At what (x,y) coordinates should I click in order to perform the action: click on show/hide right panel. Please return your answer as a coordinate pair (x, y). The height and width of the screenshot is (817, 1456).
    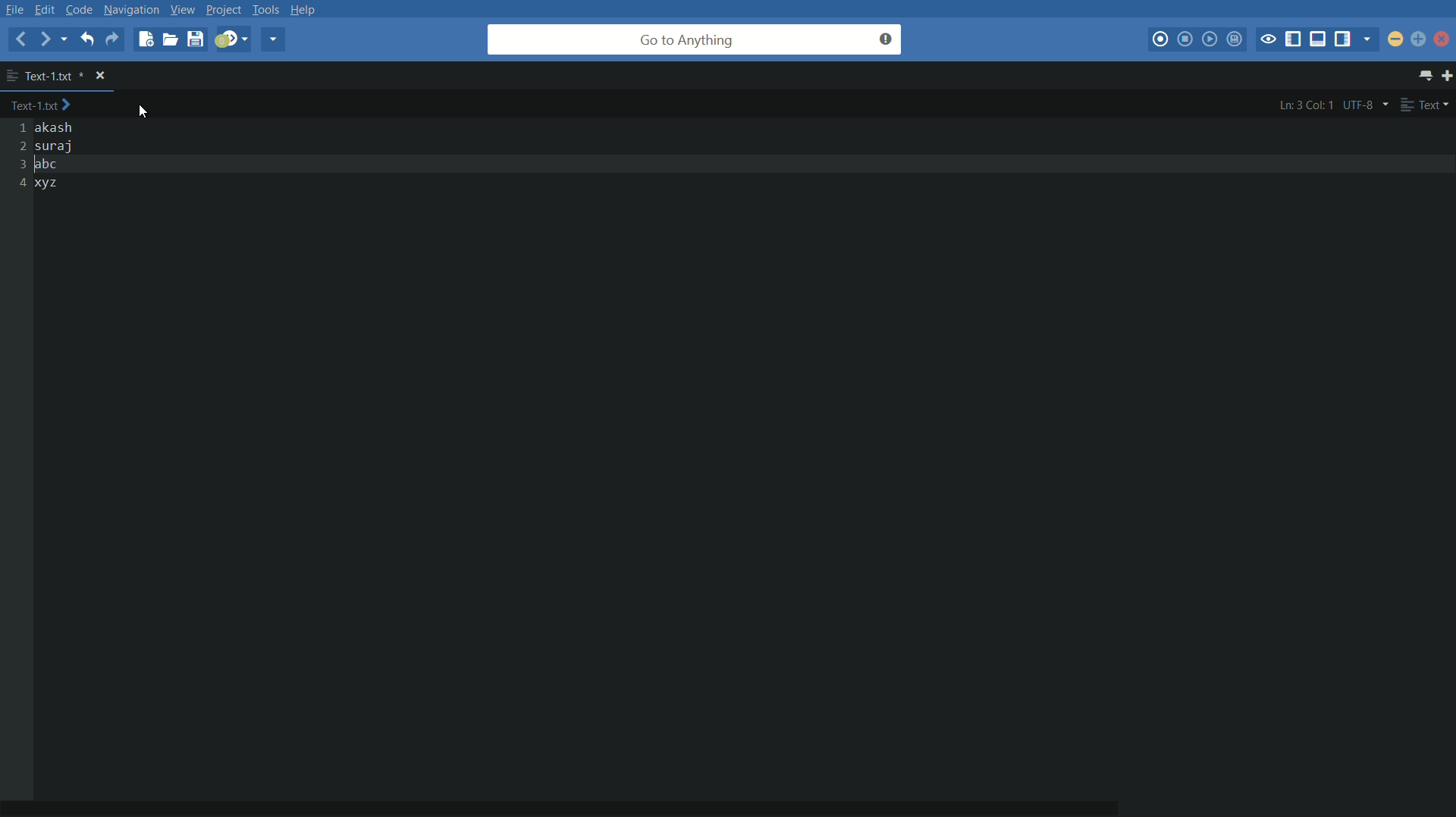
    Looking at the image, I should click on (1345, 39).